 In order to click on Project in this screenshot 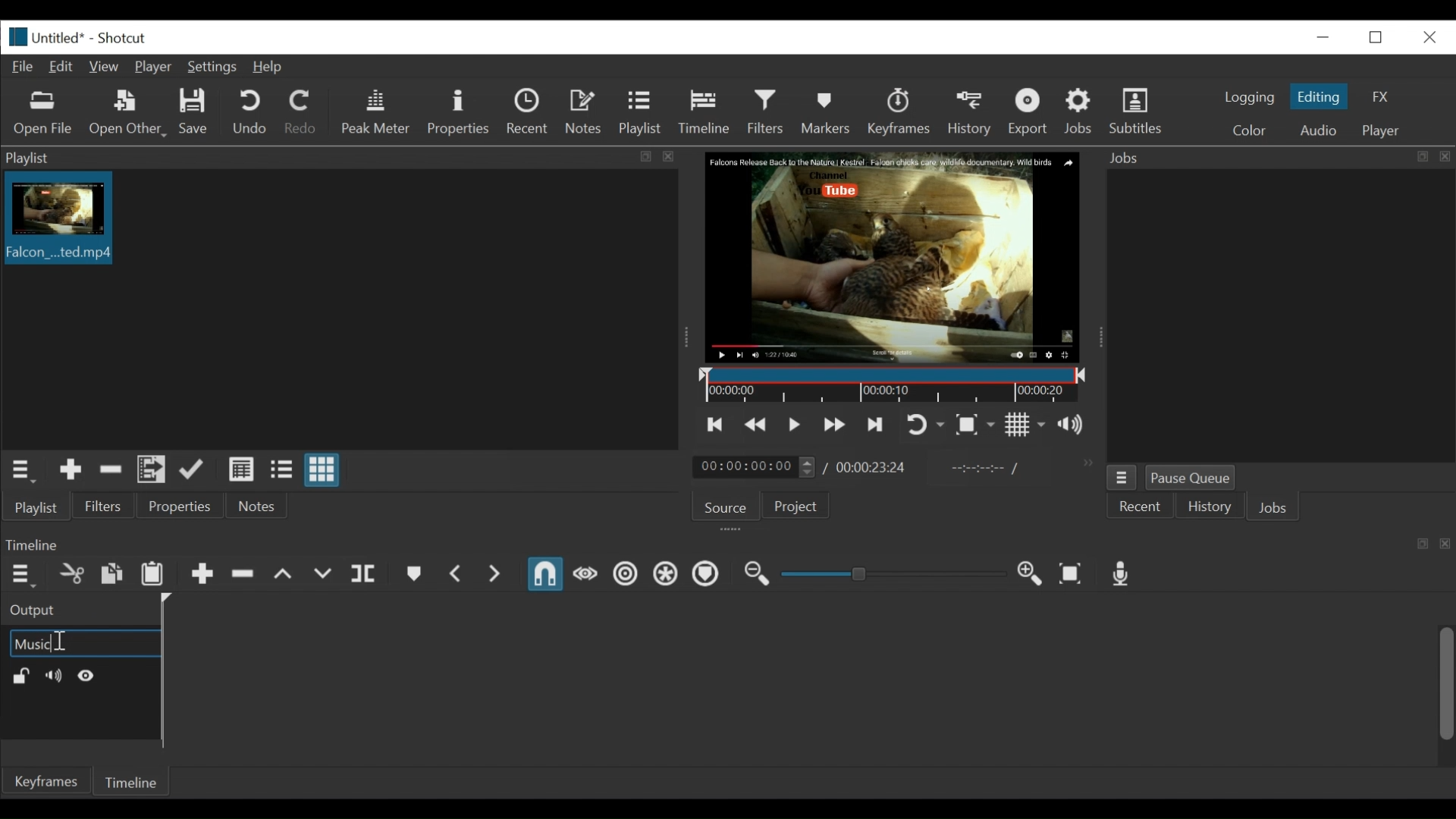, I will do `click(792, 504)`.